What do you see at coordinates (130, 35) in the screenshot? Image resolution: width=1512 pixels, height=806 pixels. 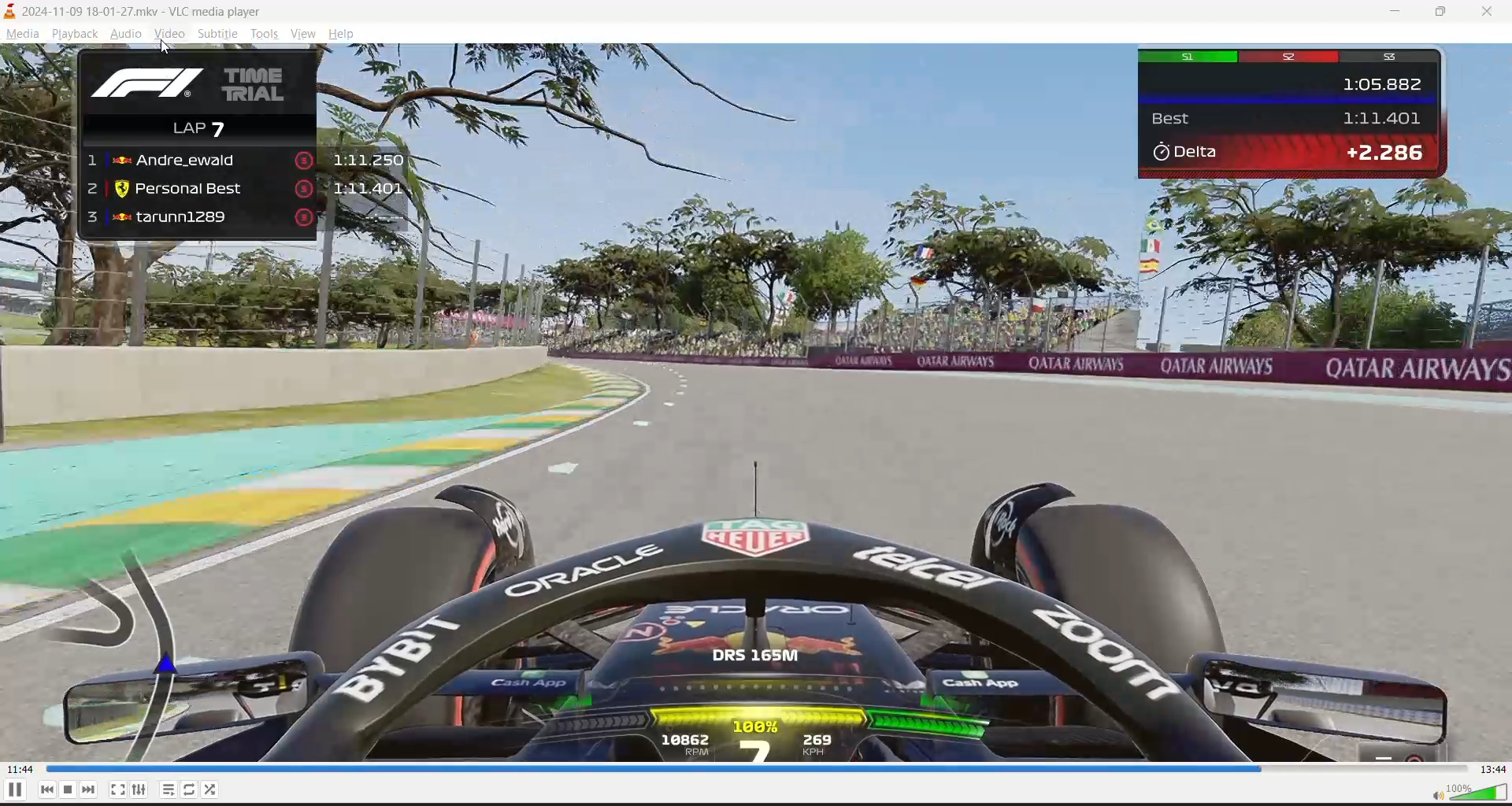 I see `audio` at bounding box center [130, 35].